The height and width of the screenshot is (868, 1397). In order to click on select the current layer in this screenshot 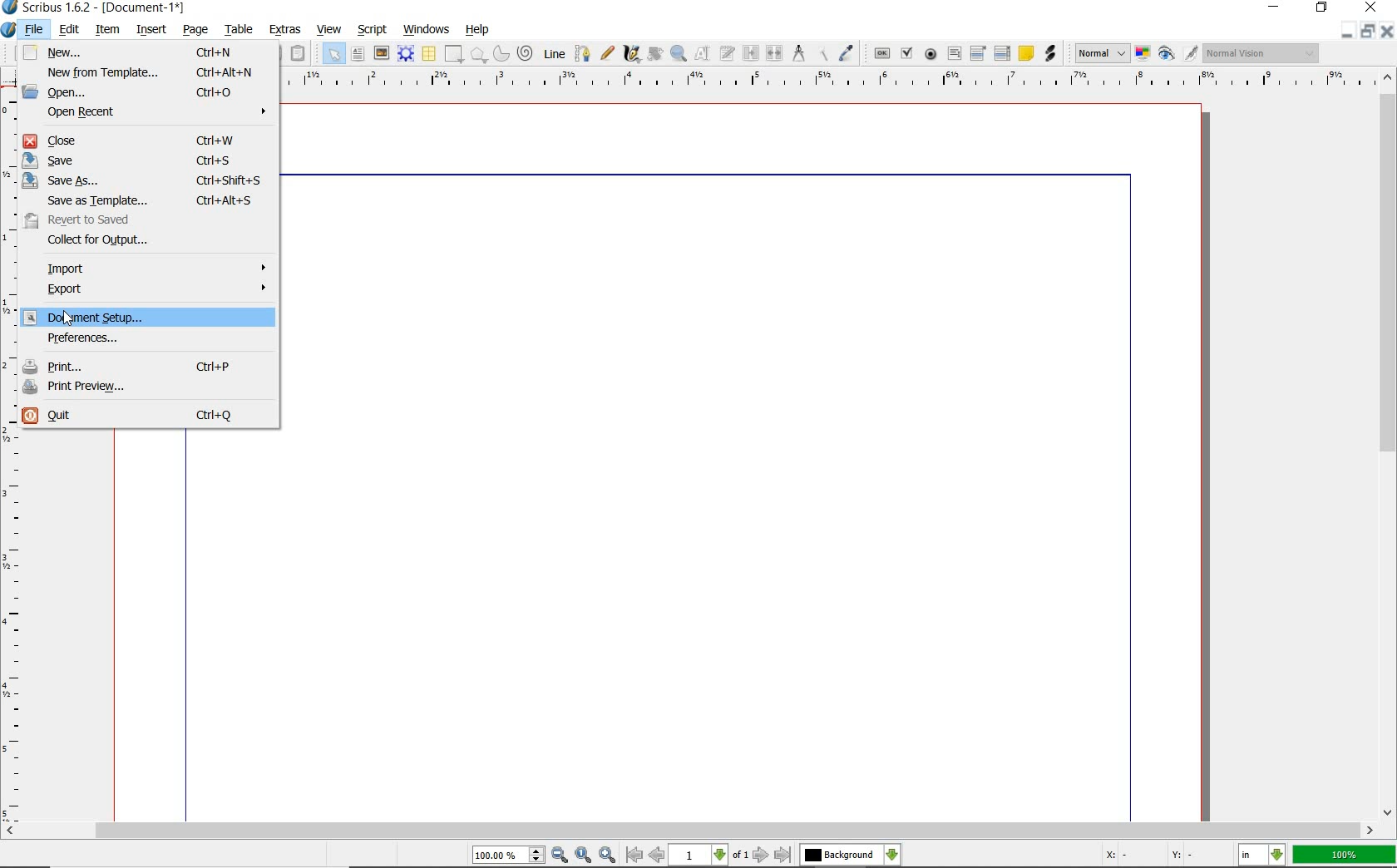, I will do `click(851, 855)`.